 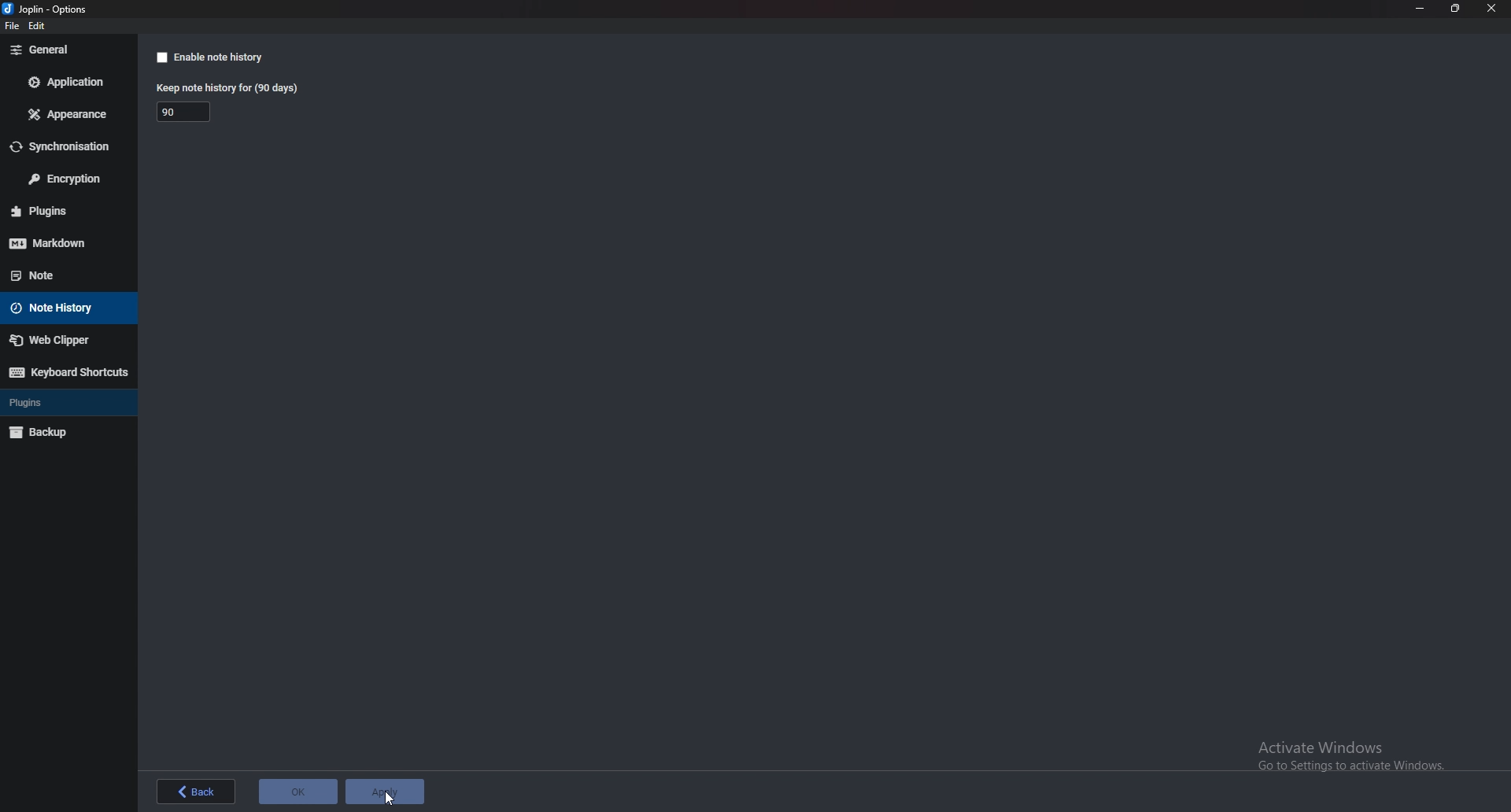 What do you see at coordinates (1454, 9) in the screenshot?
I see `Resize` at bounding box center [1454, 9].